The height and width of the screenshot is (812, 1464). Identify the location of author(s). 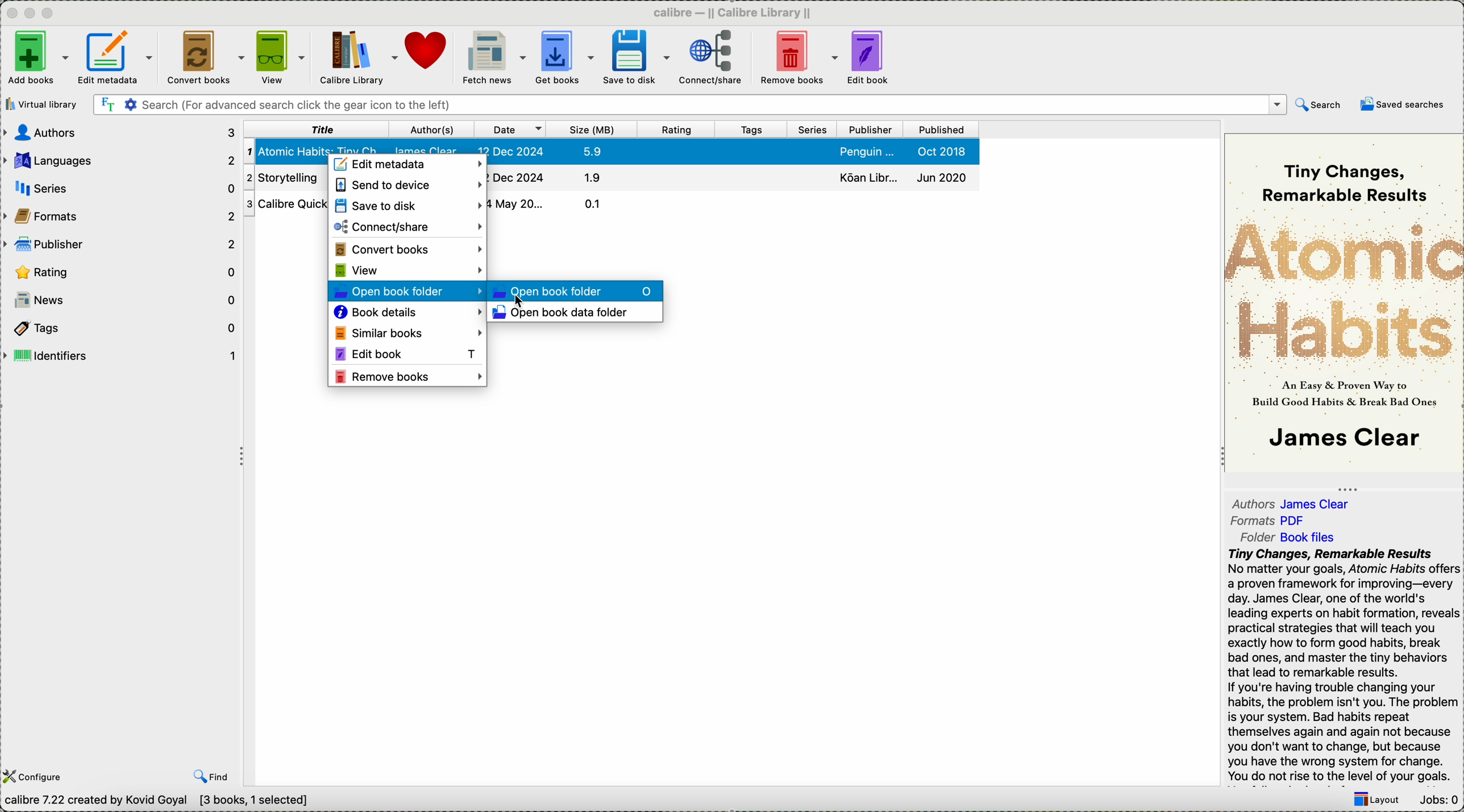
(430, 130).